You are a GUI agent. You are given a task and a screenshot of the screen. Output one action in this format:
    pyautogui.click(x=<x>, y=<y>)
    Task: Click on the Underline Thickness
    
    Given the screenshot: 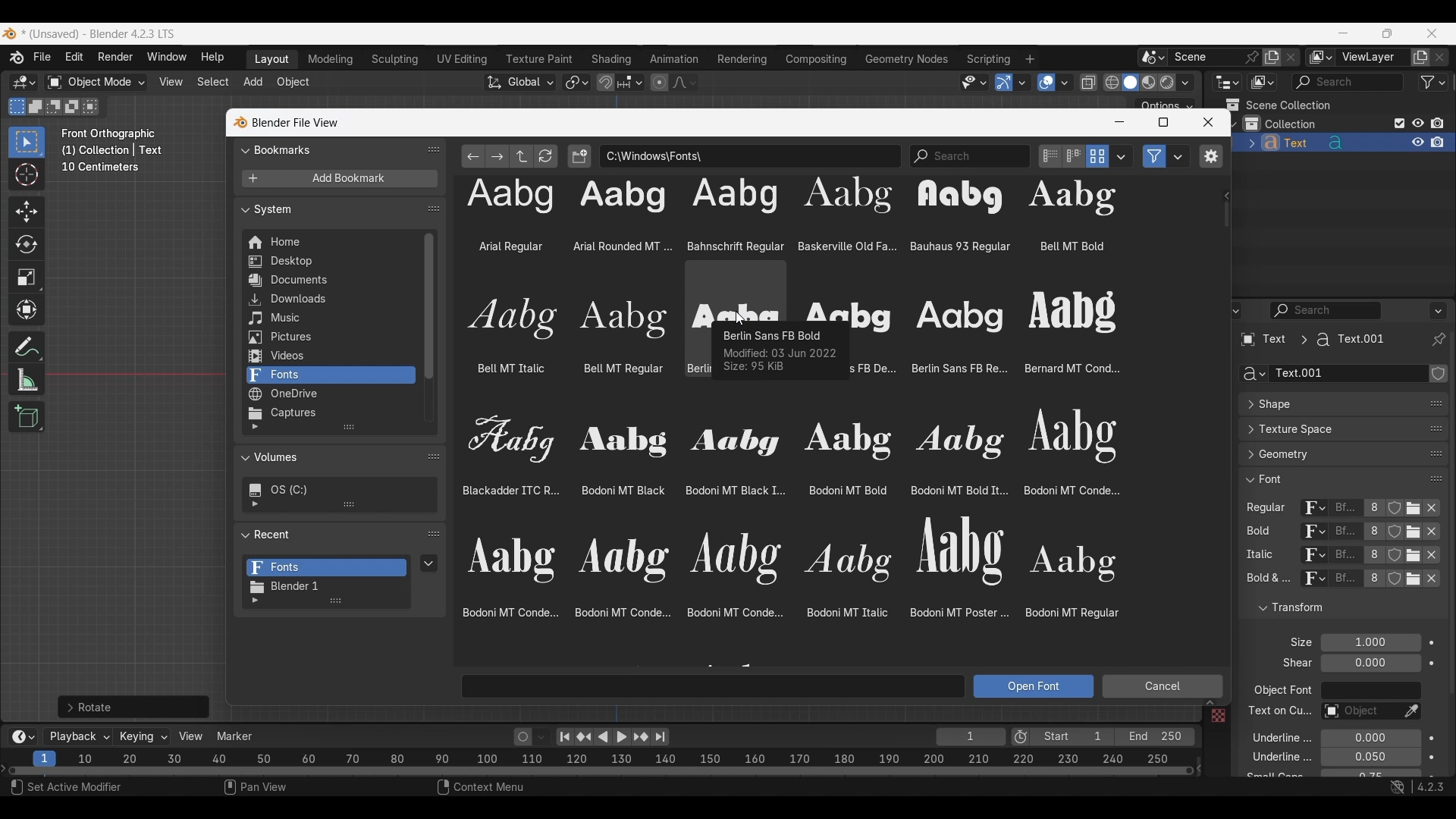 What is the action you would take?
    pyautogui.click(x=1370, y=758)
    